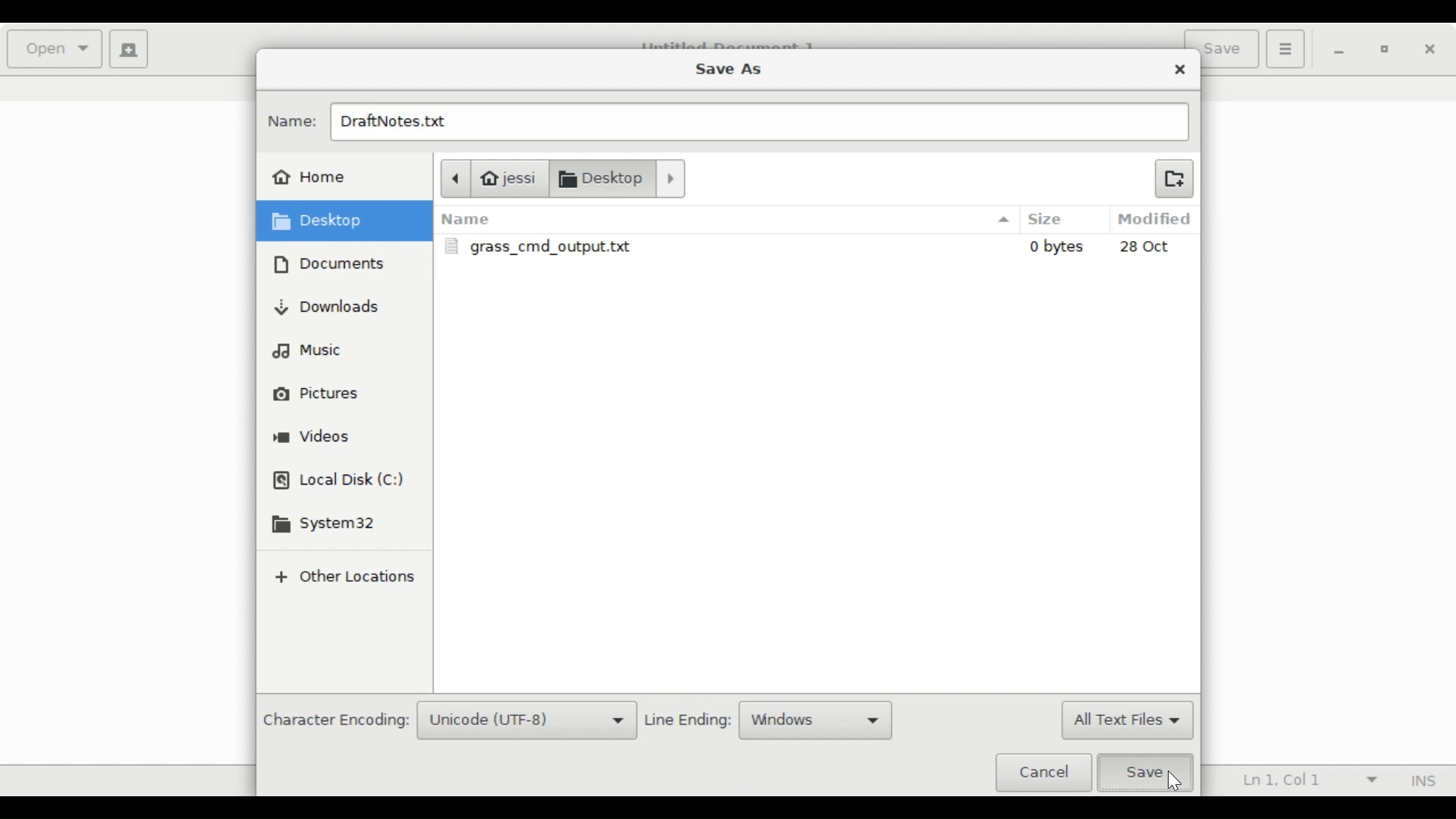 The height and width of the screenshot is (819, 1456). I want to click on Application menu, so click(1285, 48).